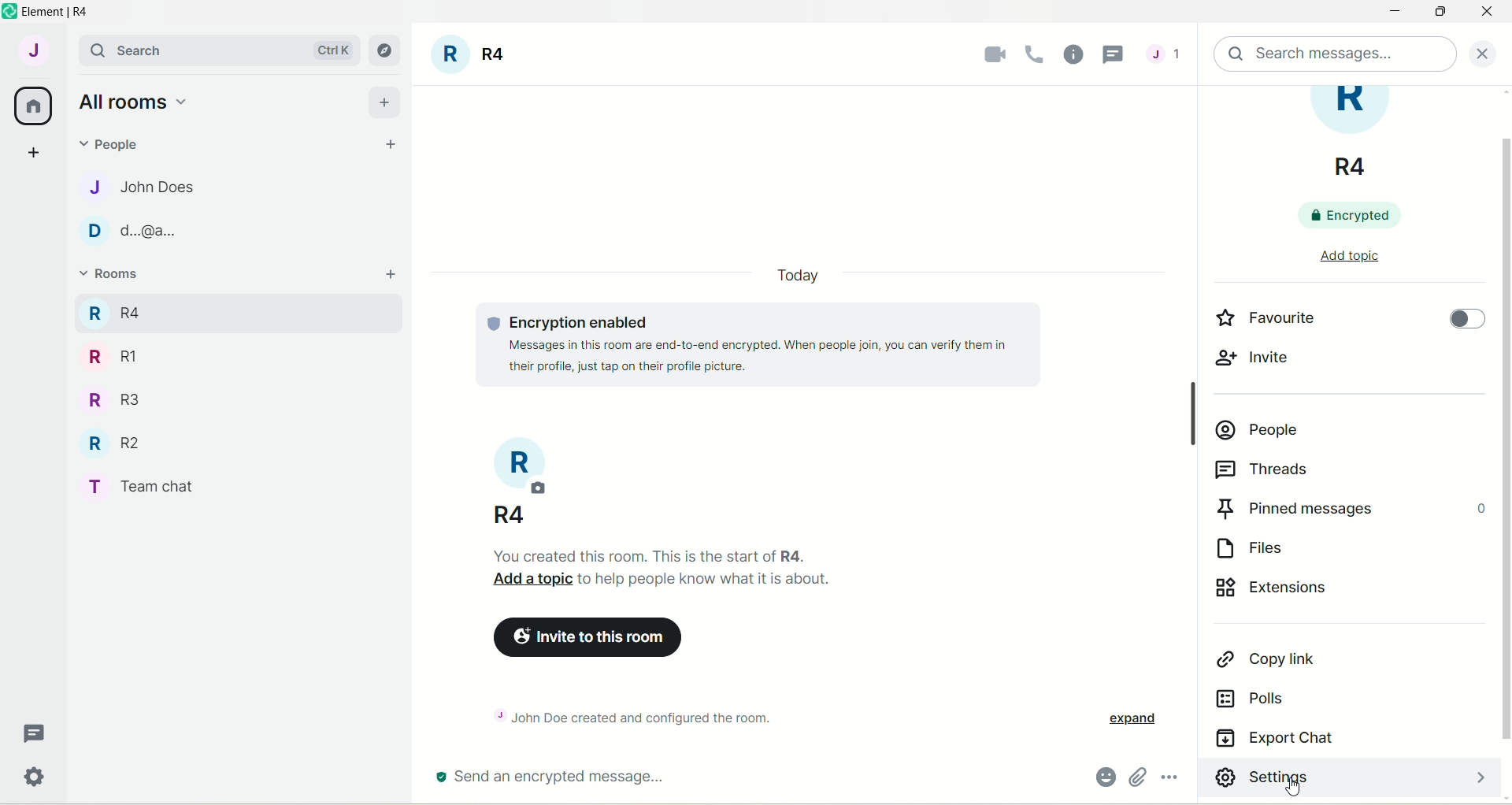 The height and width of the screenshot is (805, 1512). What do you see at coordinates (649, 715) in the screenshot?
I see `~ John Doe created and configured the room.` at bounding box center [649, 715].